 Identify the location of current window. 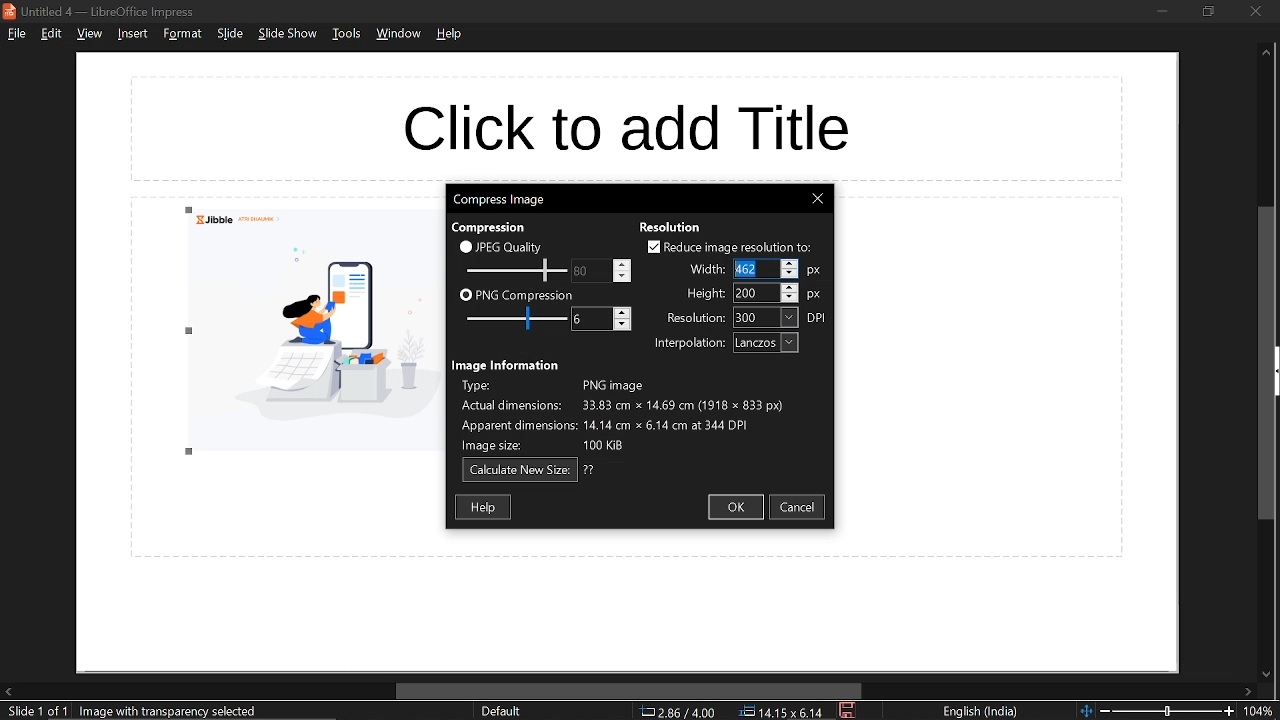
(498, 198).